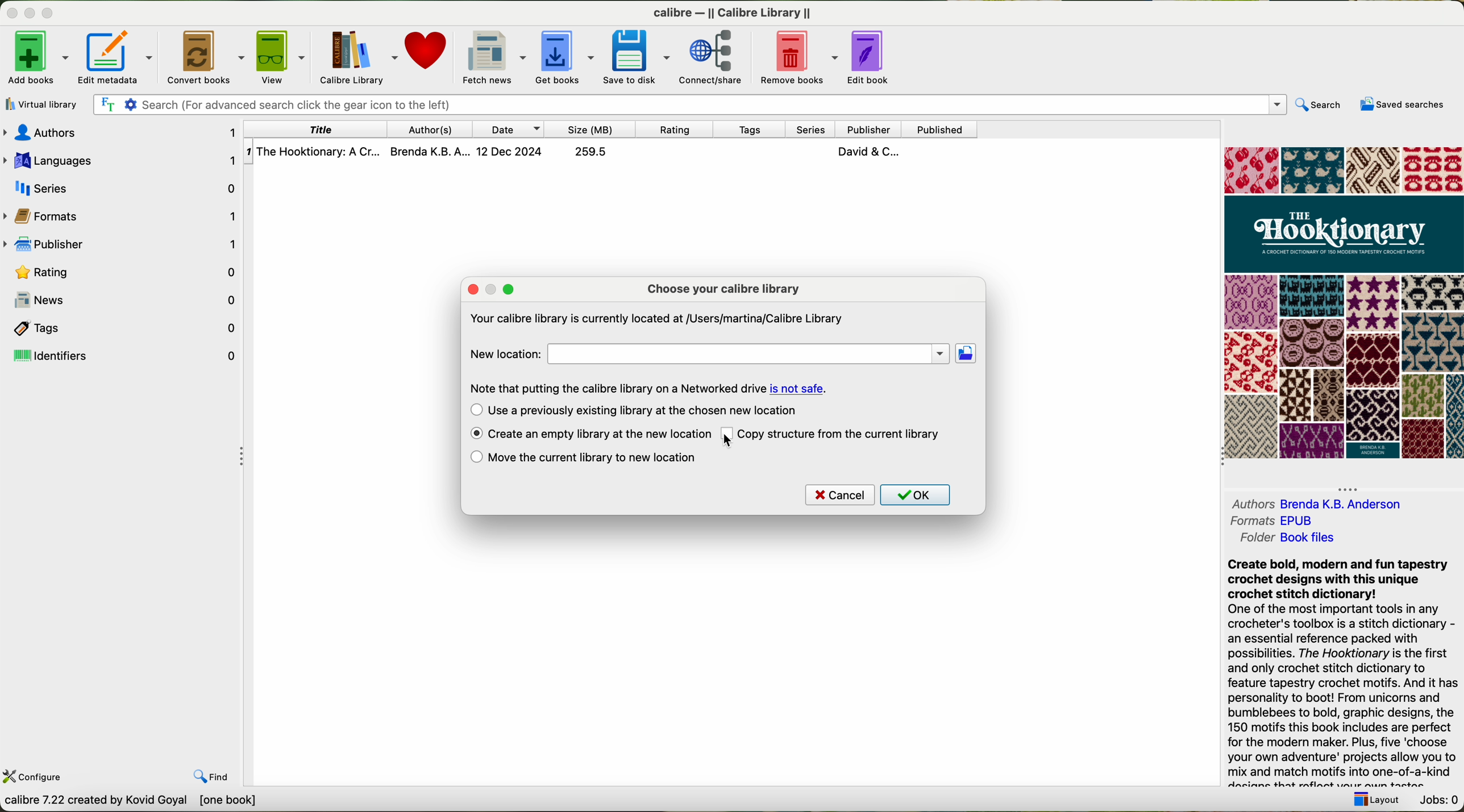  What do you see at coordinates (474, 409) in the screenshot?
I see `checkbox` at bounding box center [474, 409].